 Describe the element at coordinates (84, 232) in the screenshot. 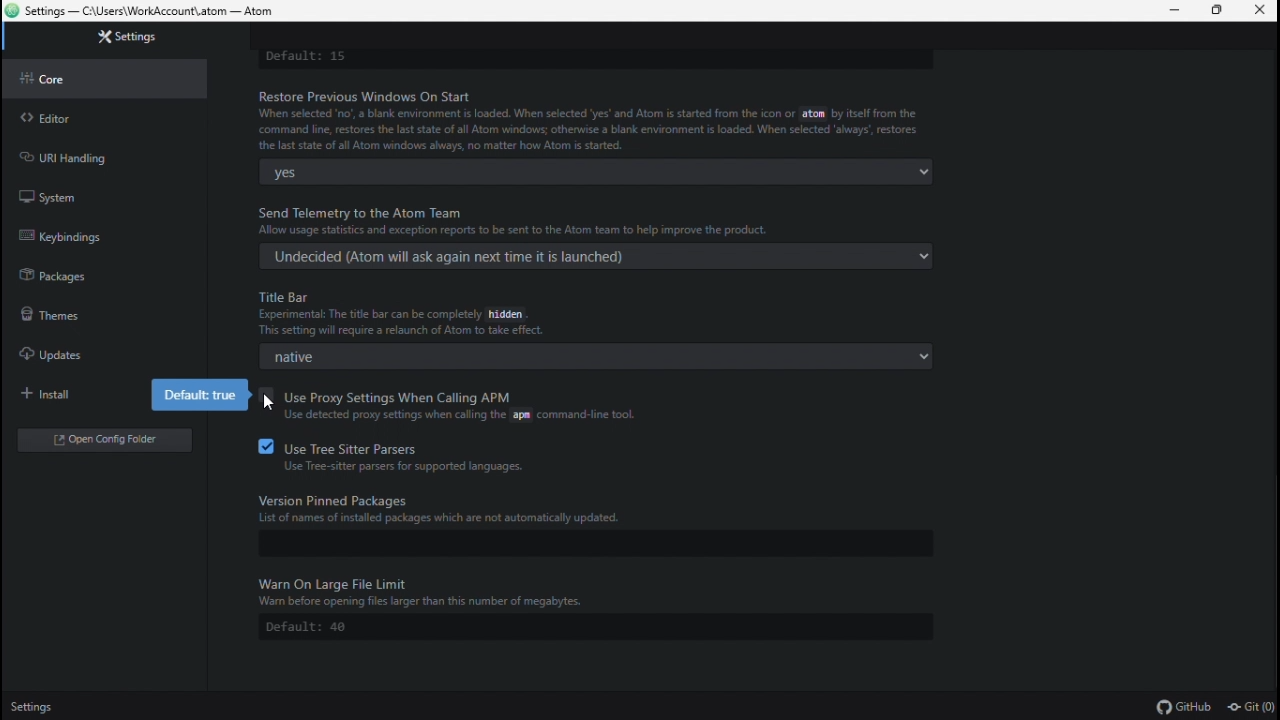

I see `keybindings` at that location.